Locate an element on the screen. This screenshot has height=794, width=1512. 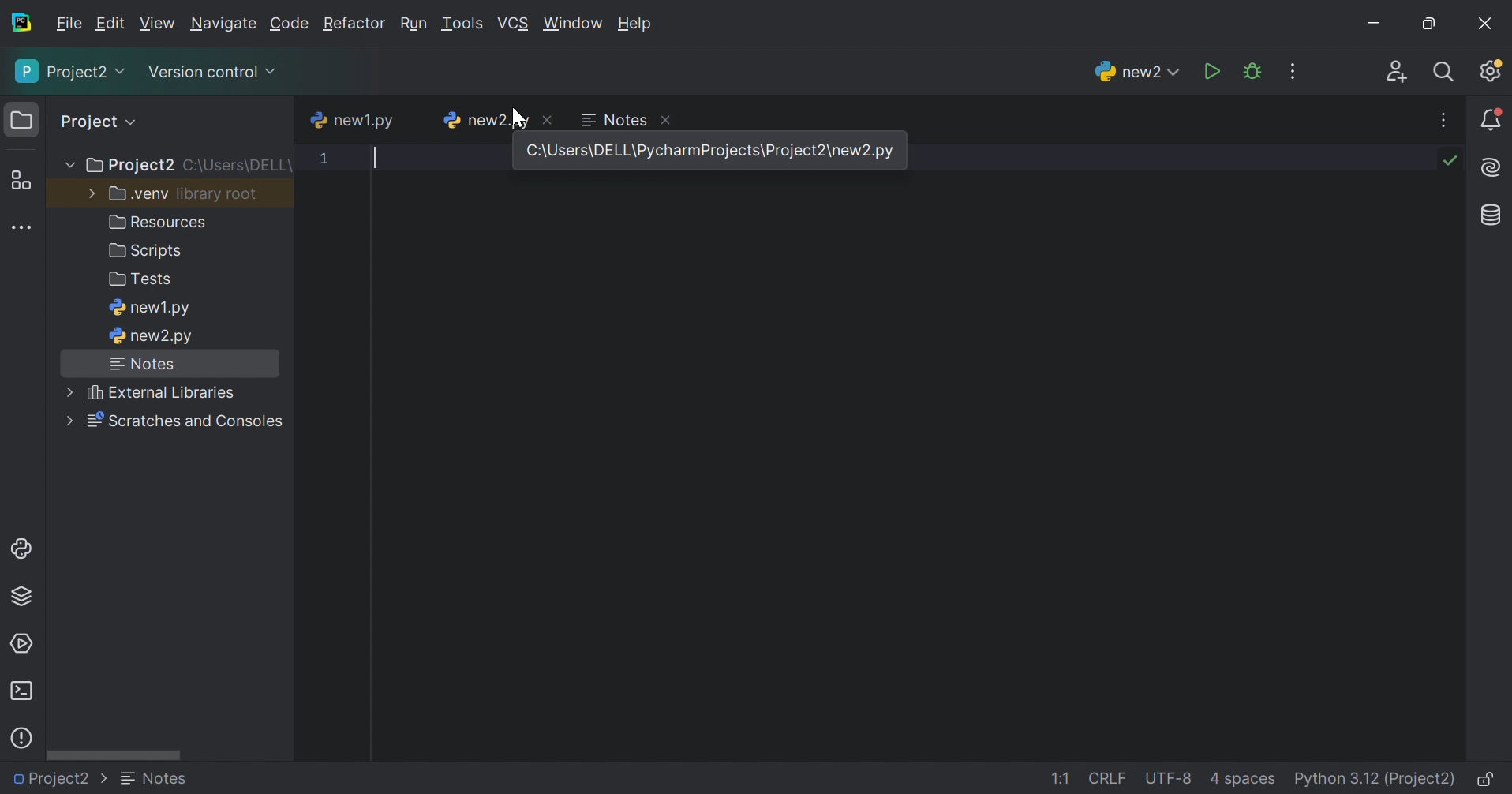
Make file read-only is located at coordinates (1488, 781).